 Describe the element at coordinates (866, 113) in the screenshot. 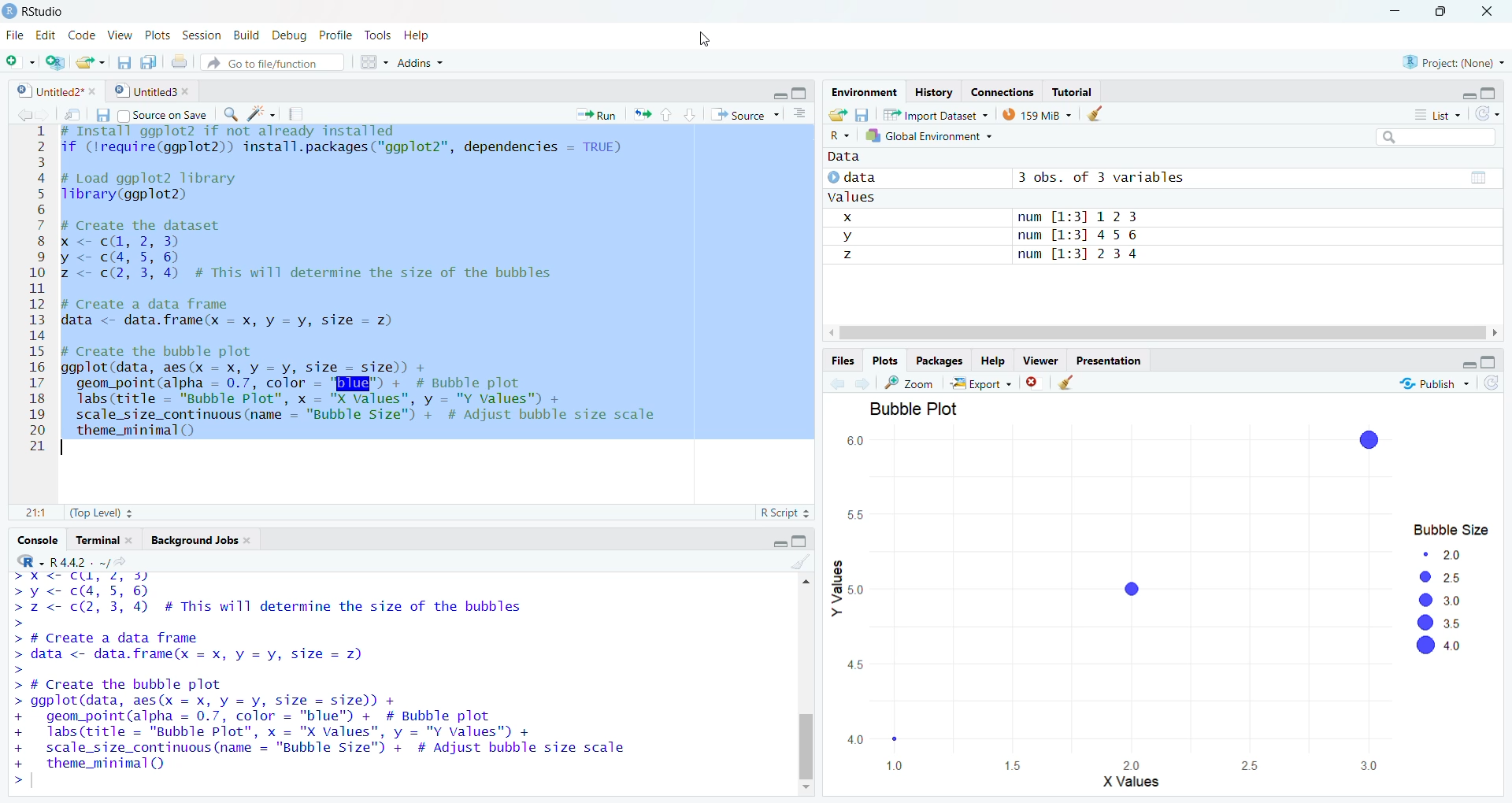

I see `Save workspaces` at that location.